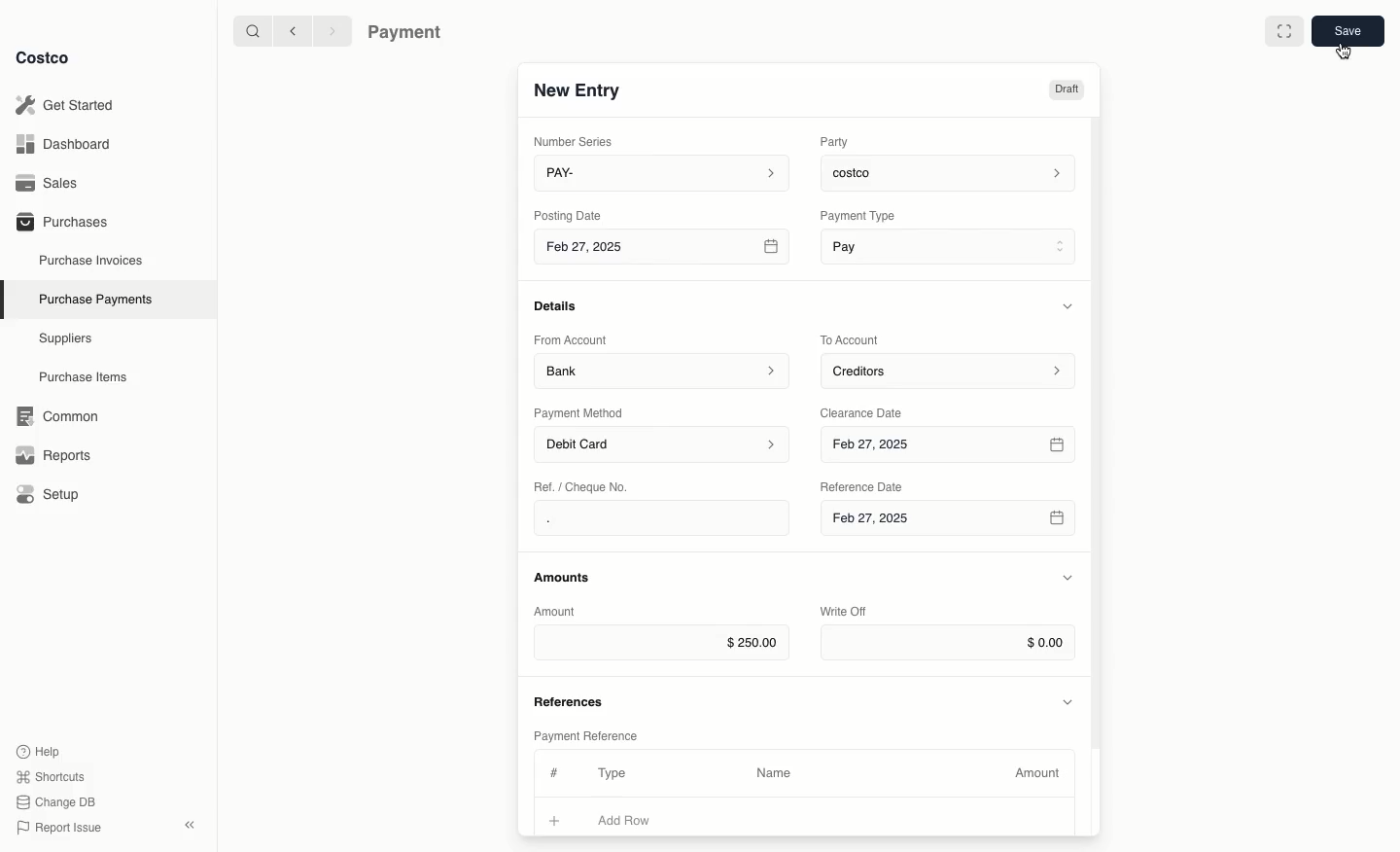  I want to click on Add, so click(555, 818).